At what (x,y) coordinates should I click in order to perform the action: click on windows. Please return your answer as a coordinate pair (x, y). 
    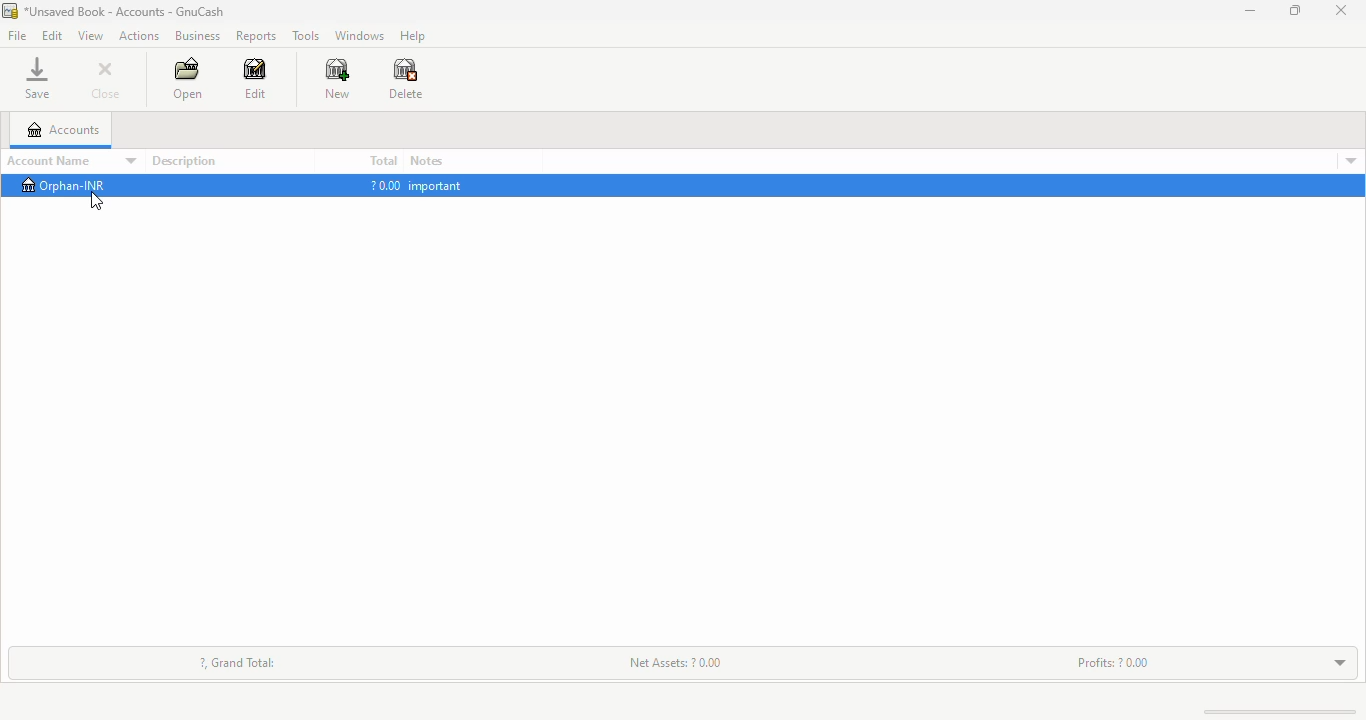
    Looking at the image, I should click on (360, 35).